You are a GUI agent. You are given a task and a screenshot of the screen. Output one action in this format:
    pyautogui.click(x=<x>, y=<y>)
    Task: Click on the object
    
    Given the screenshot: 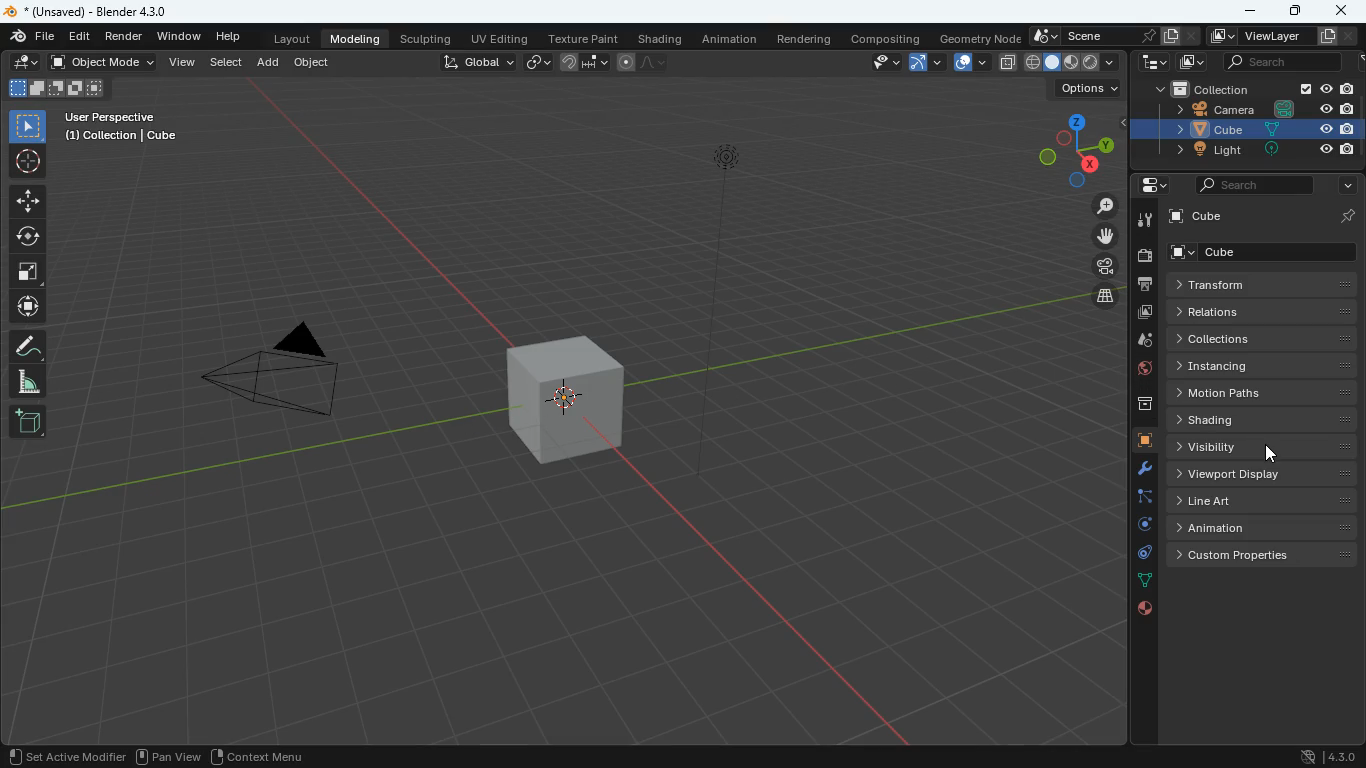 What is the action you would take?
    pyautogui.click(x=312, y=61)
    